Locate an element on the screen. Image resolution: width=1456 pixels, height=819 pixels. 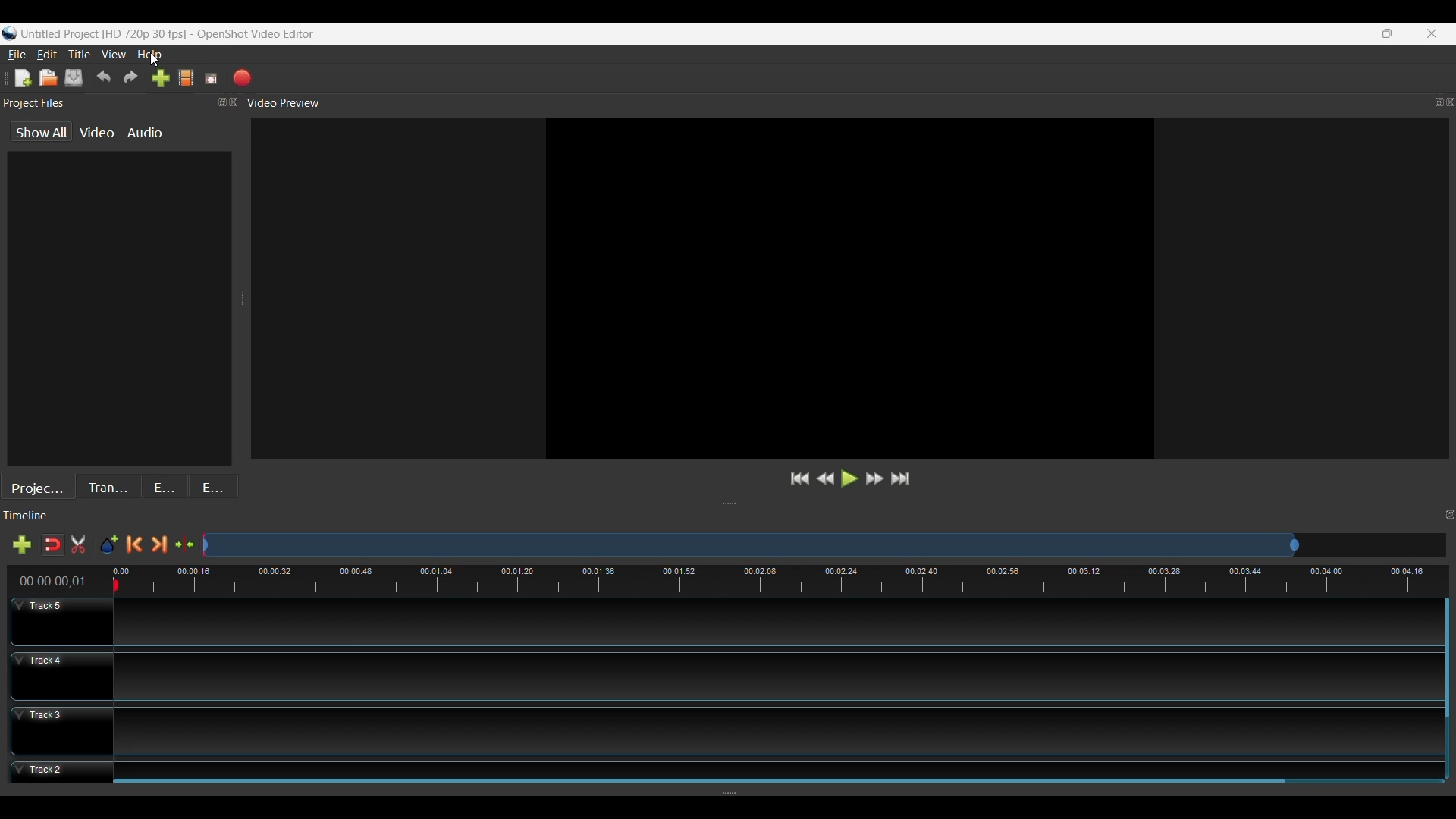
Openshot Desktop icon is located at coordinates (9, 31).